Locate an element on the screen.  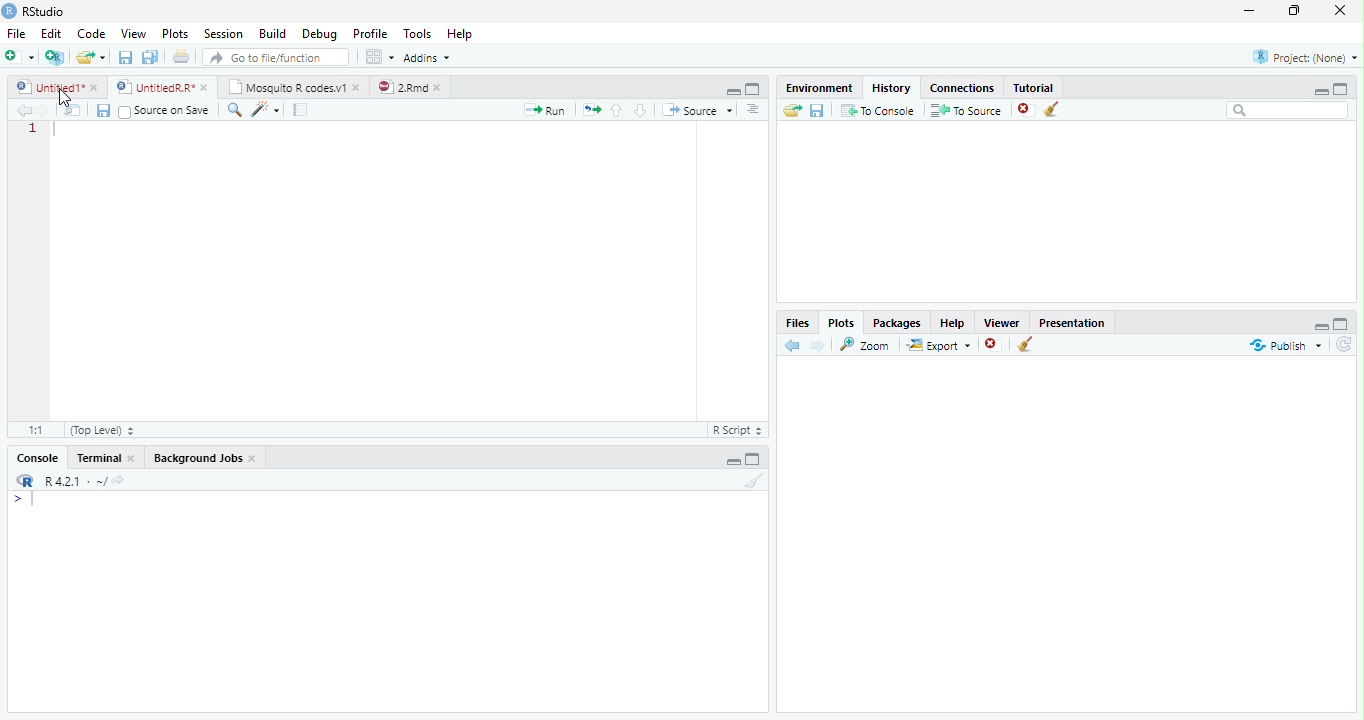
Save current file is located at coordinates (124, 57).